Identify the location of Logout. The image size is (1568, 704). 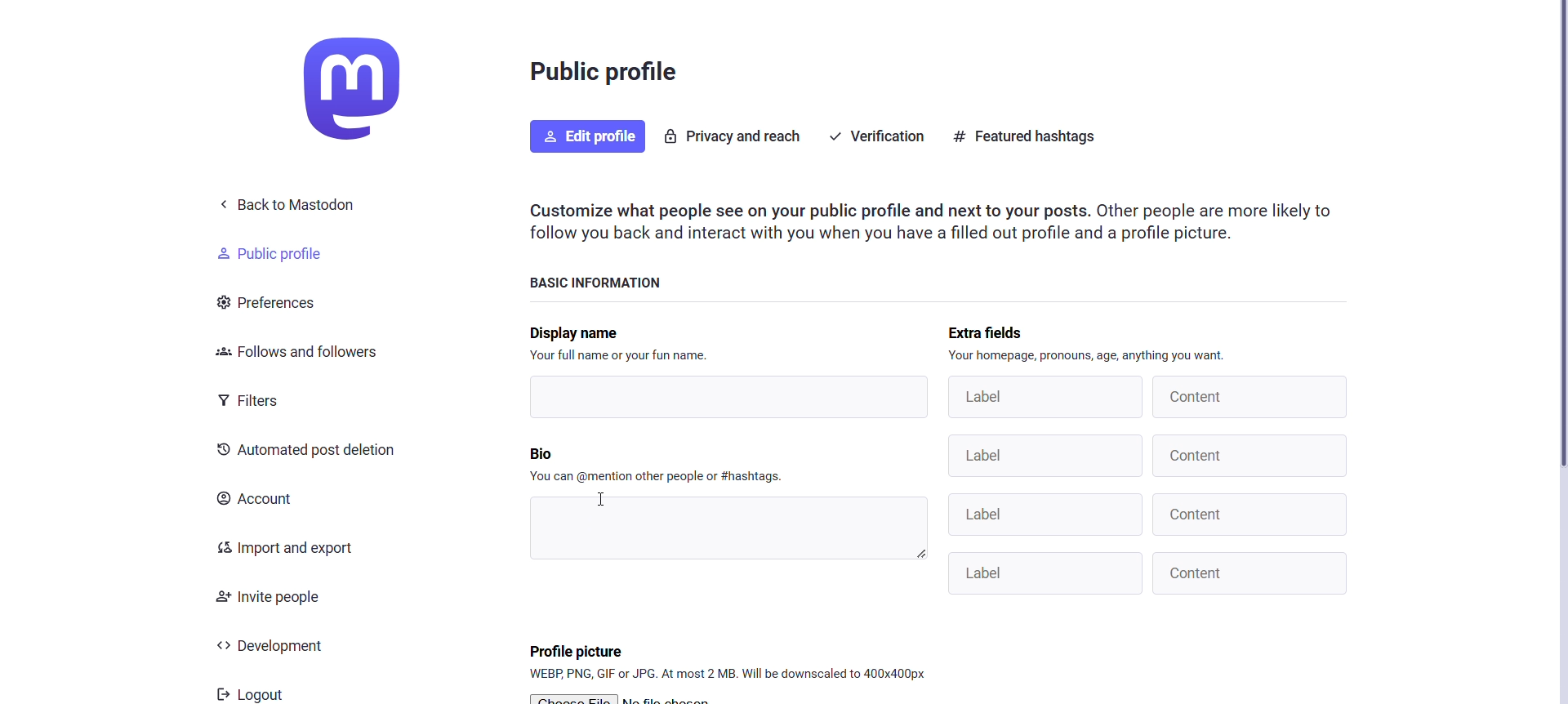
(252, 691).